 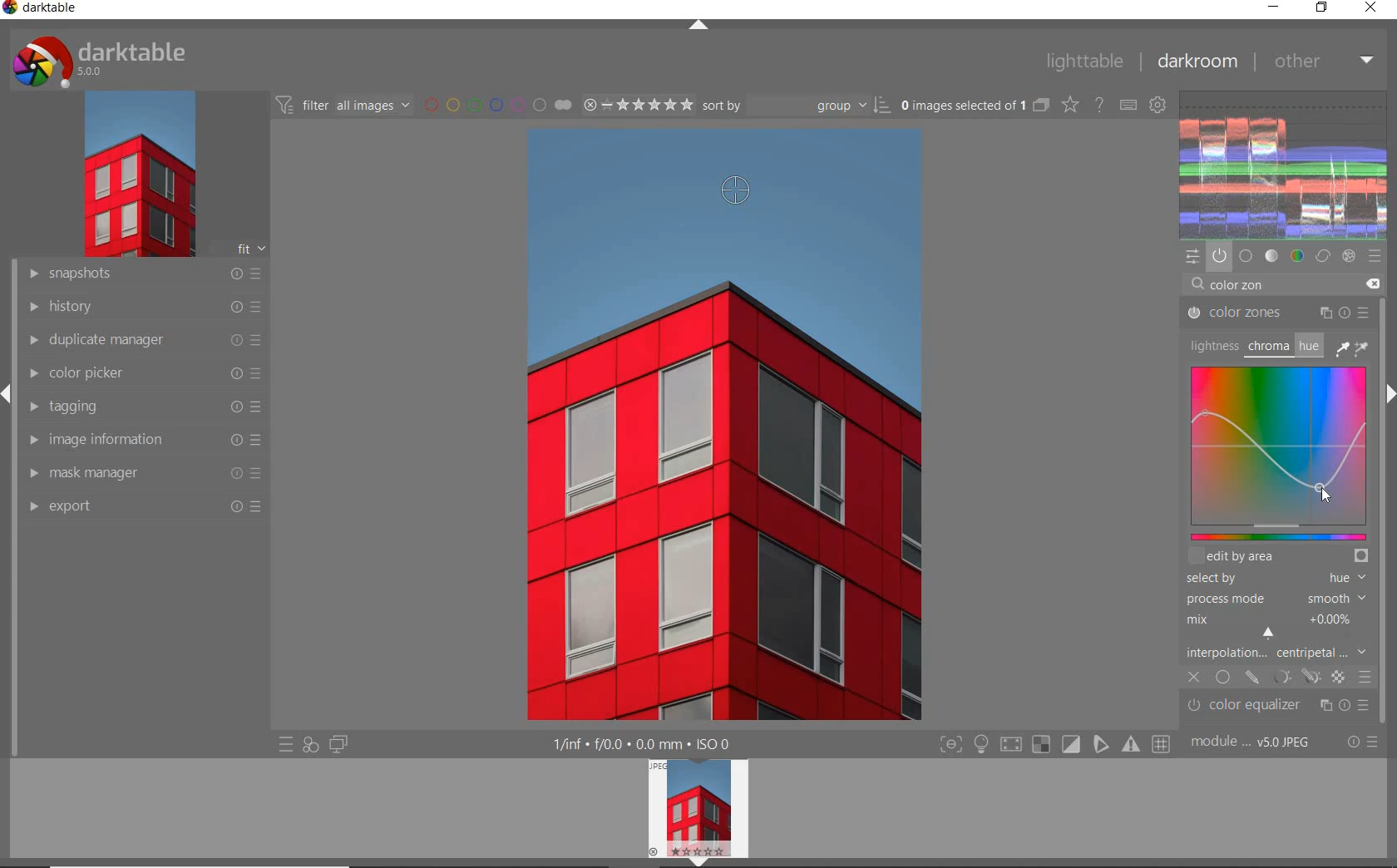 What do you see at coordinates (1219, 255) in the screenshot?
I see `show only active modules` at bounding box center [1219, 255].